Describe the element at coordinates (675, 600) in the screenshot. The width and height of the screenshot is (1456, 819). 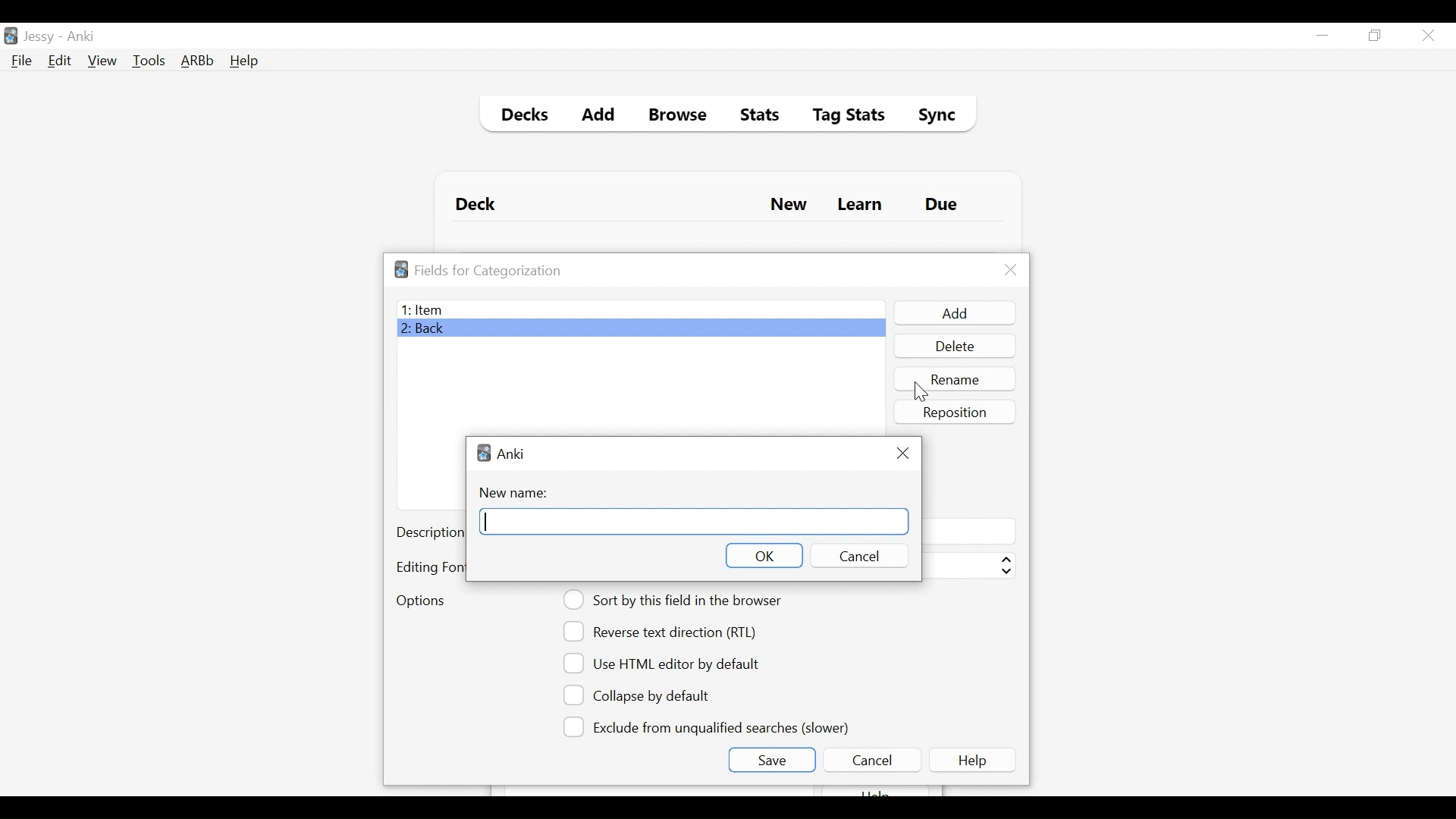
I see `(un)select Sort by this field in the browser` at that location.